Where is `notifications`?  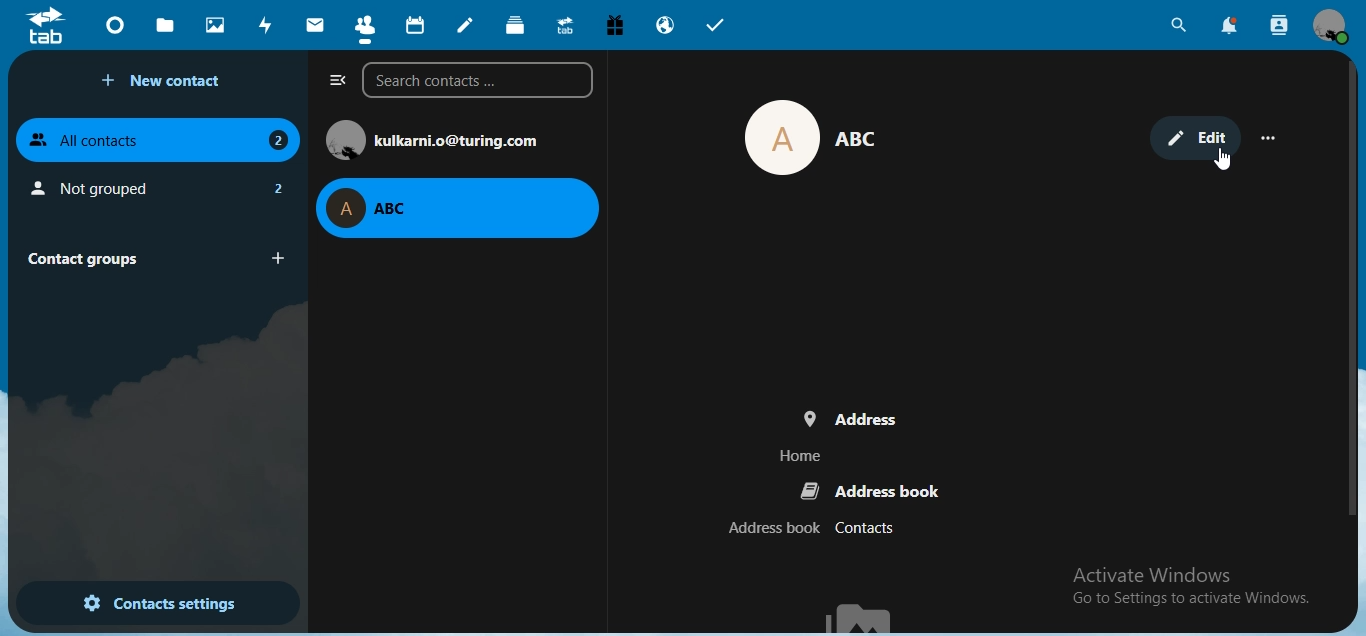
notifications is located at coordinates (1230, 26).